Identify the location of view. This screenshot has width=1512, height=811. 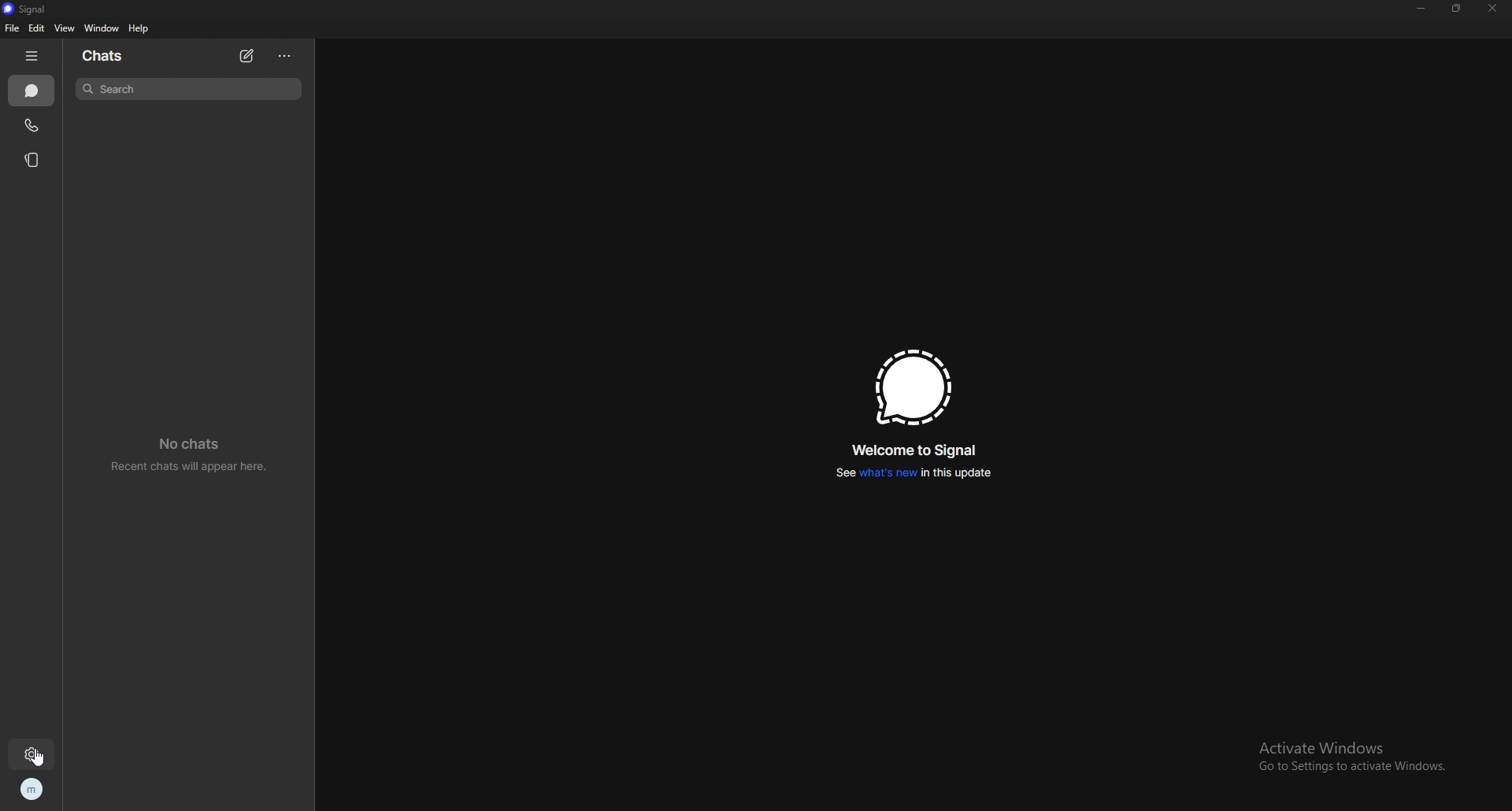
(63, 28).